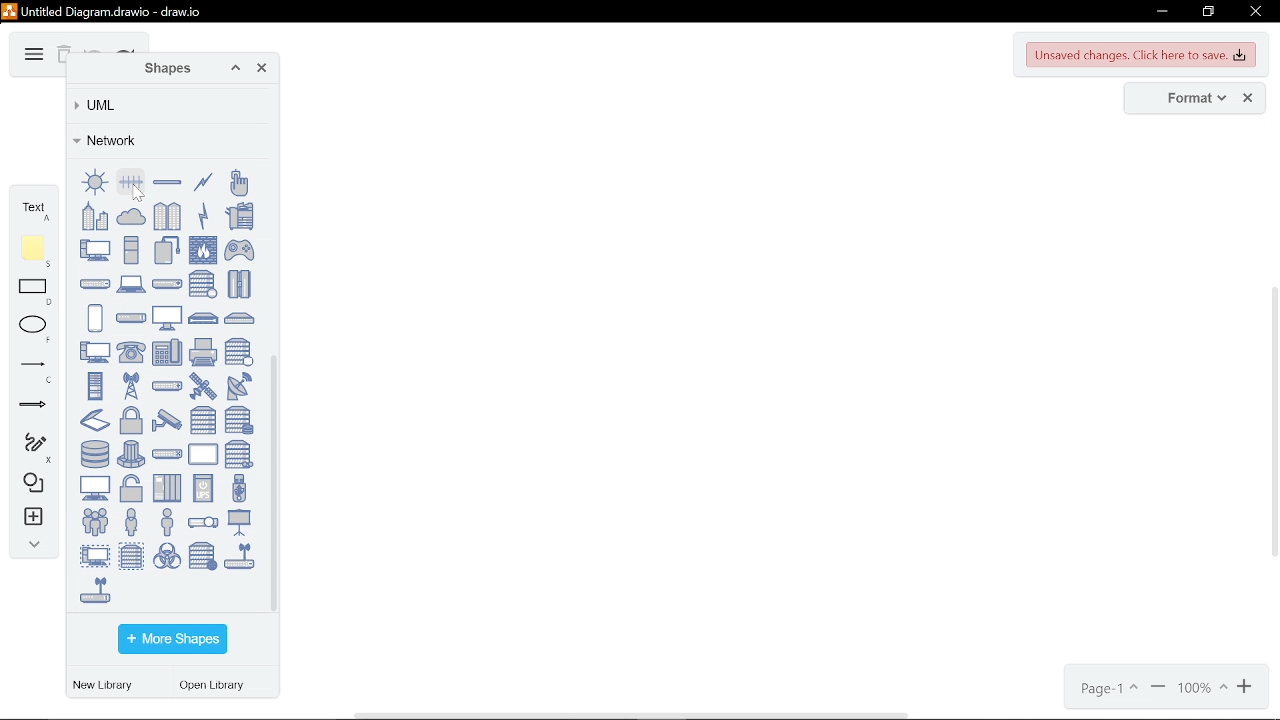 The image size is (1280, 720). What do you see at coordinates (203, 487) in the screenshot?
I see `UPS small` at bounding box center [203, 487].